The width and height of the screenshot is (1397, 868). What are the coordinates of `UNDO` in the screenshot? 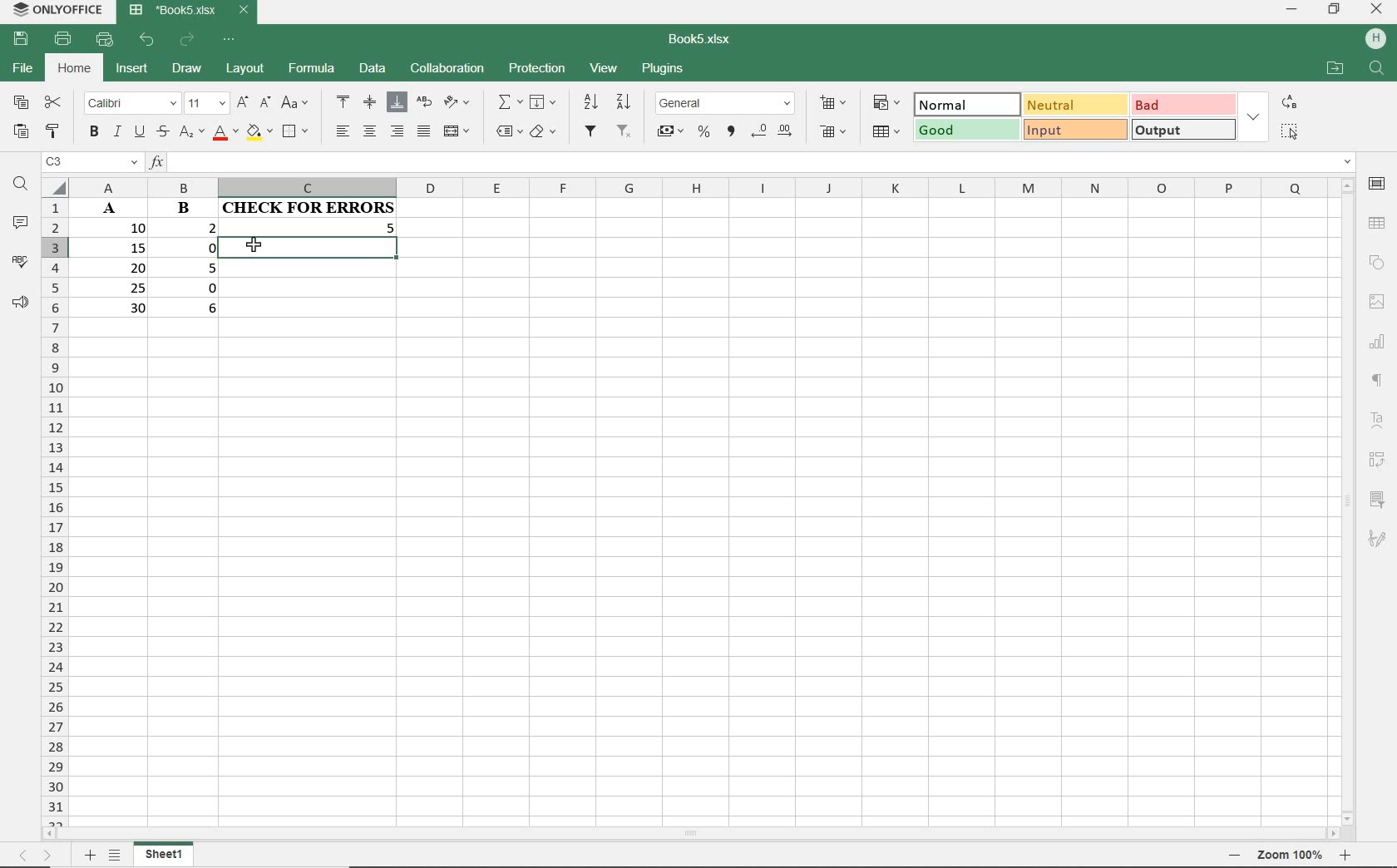 It's located at (147, 40).